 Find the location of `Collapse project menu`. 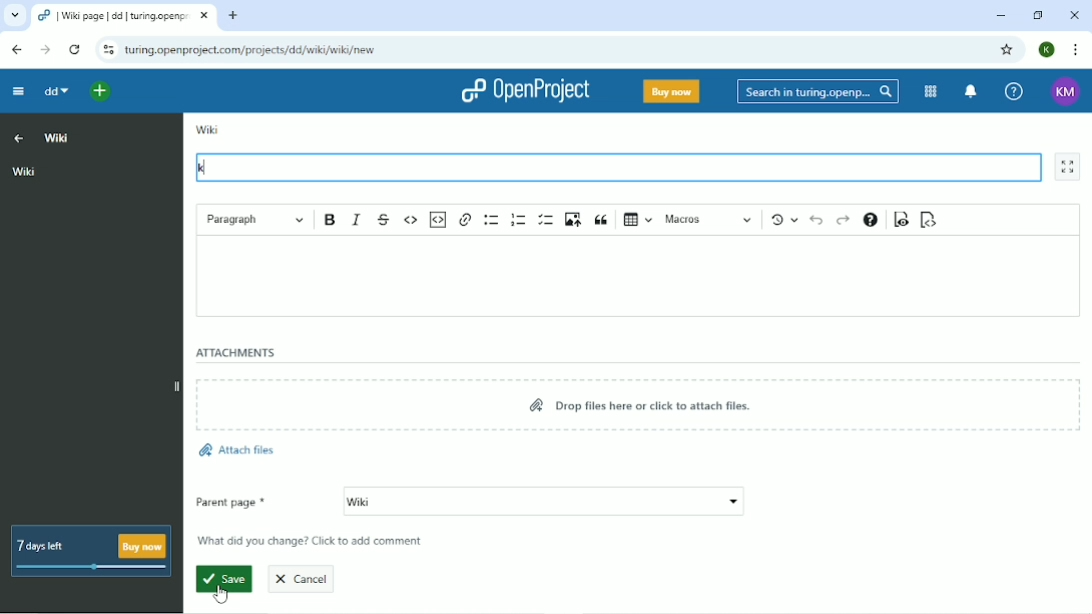

Collapse project menu is located at coordinates (17, 93).